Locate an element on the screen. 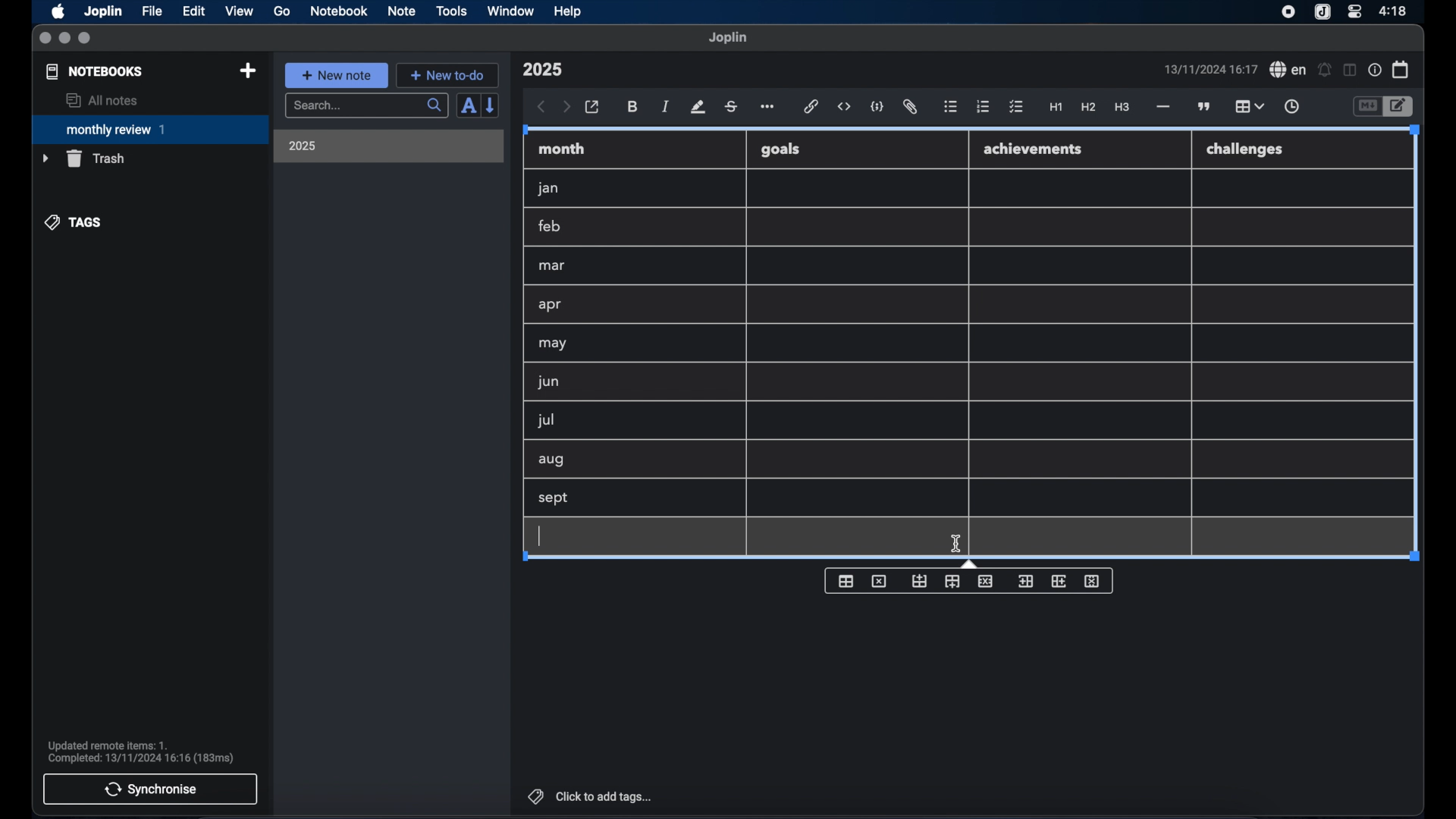 The image size is (1456, 819). achievements is located at coordinates (1034, 149).